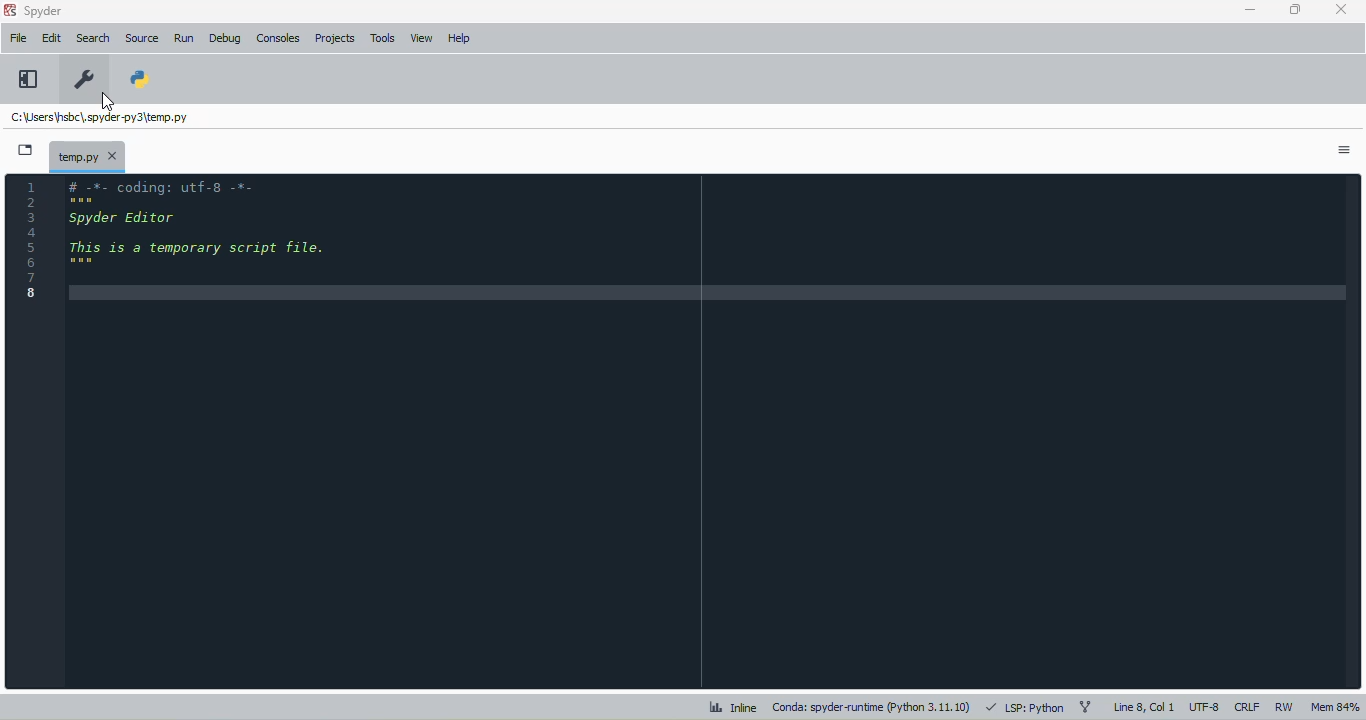 The width and height of the screenshot is (1366, 720). I want to click on temporary file, so click(88, 154).